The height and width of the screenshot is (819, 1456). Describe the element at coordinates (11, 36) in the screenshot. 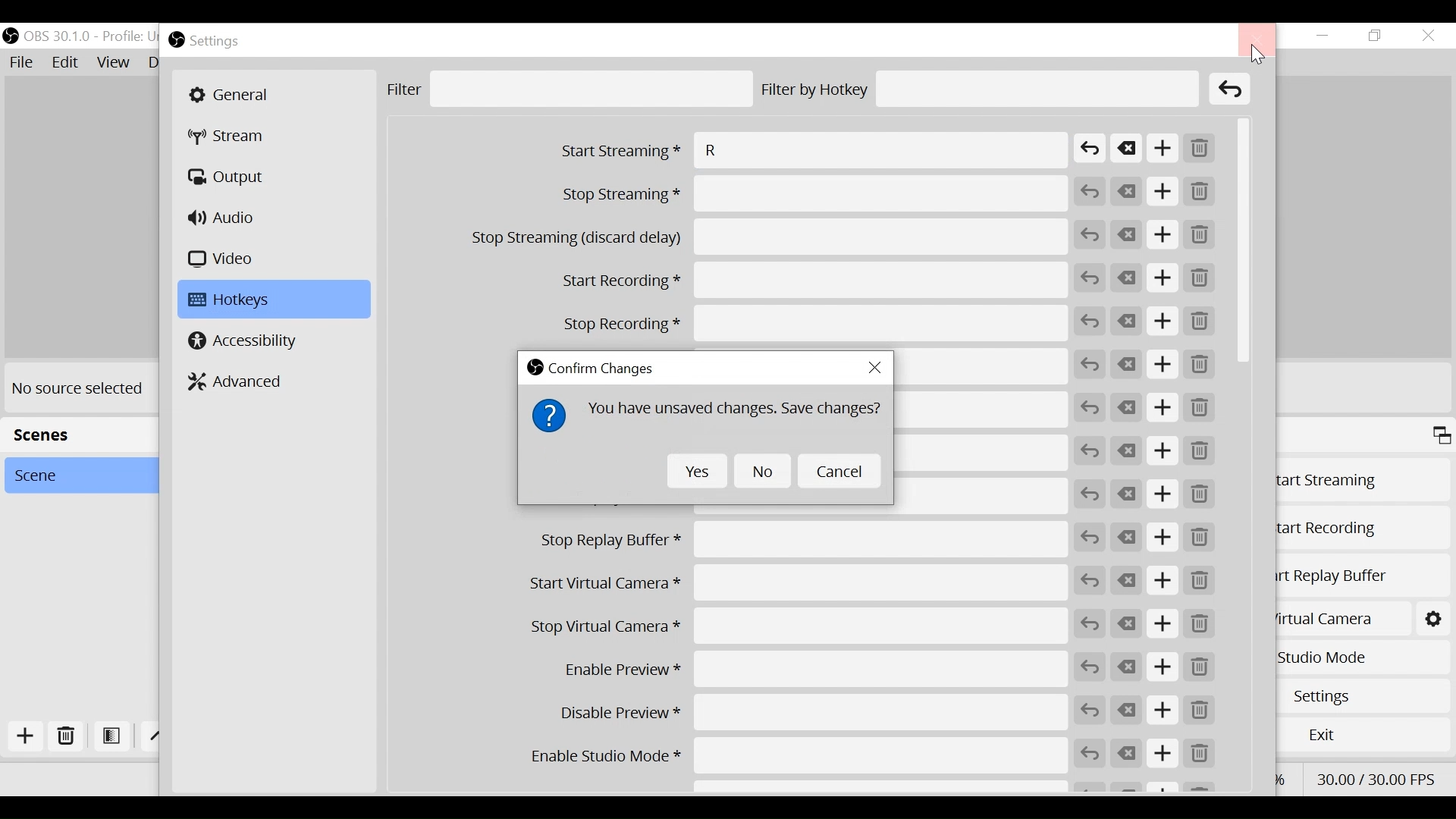

I see `OBS Studio Desktop Icon` at that location.